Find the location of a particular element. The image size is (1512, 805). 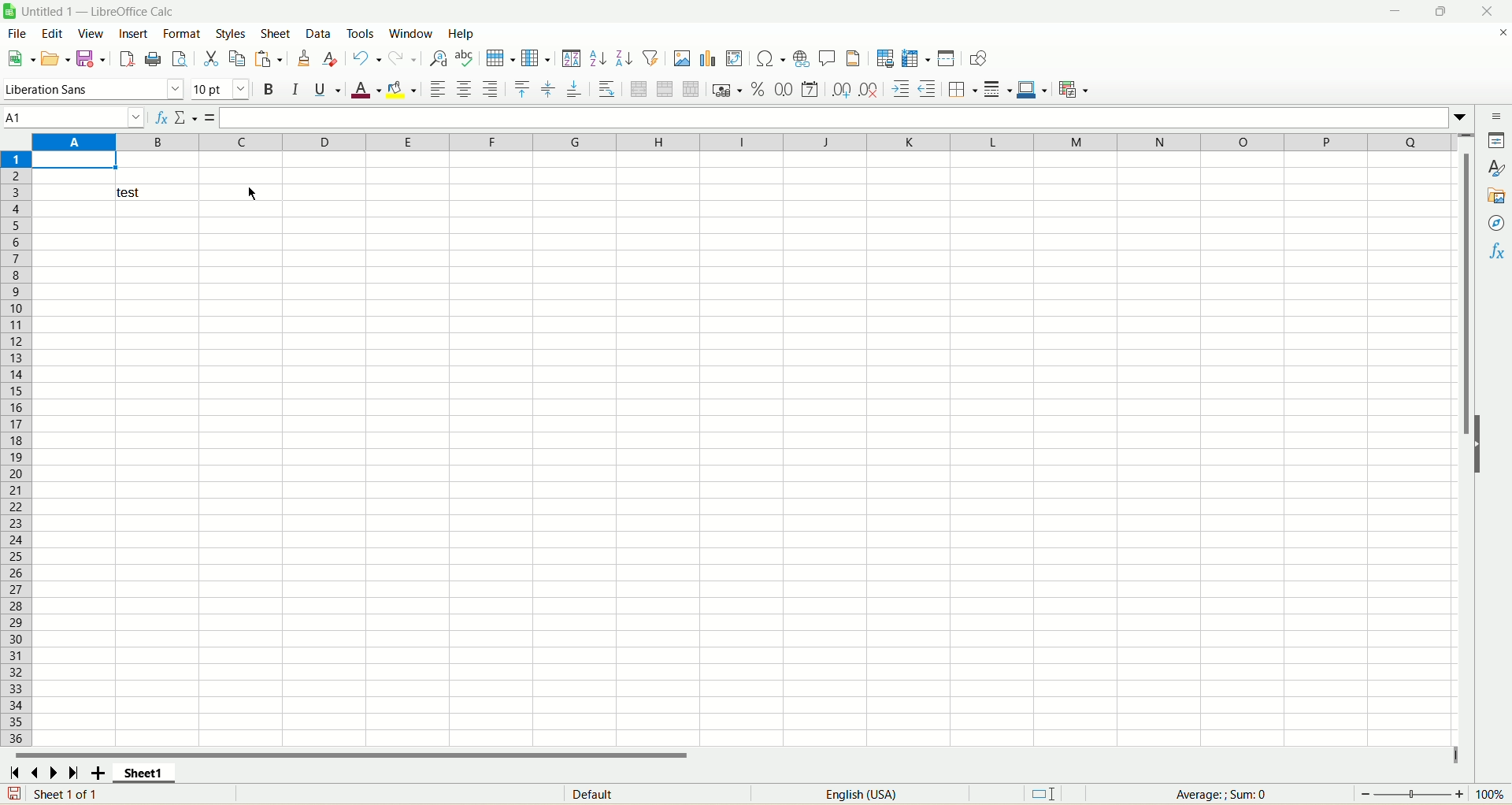

help is located at coordinates (461, 33).